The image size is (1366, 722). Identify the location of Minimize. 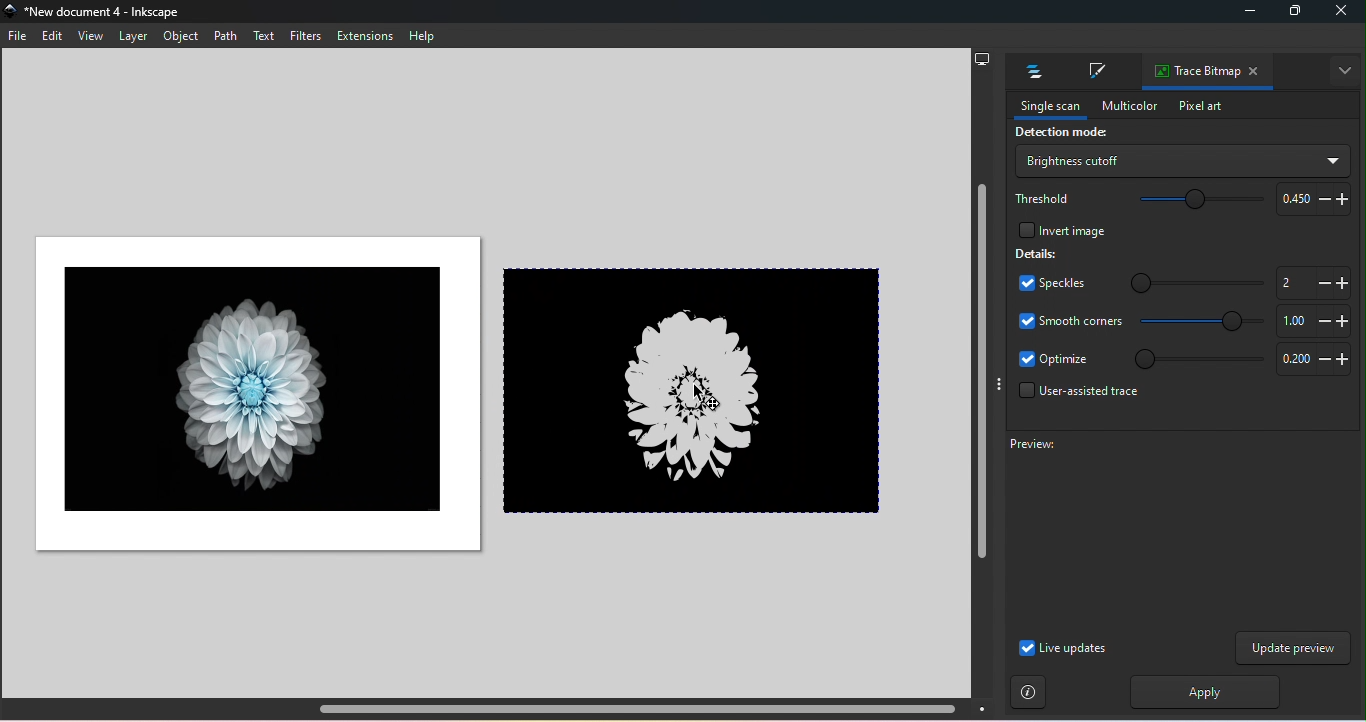
(1246, 14).